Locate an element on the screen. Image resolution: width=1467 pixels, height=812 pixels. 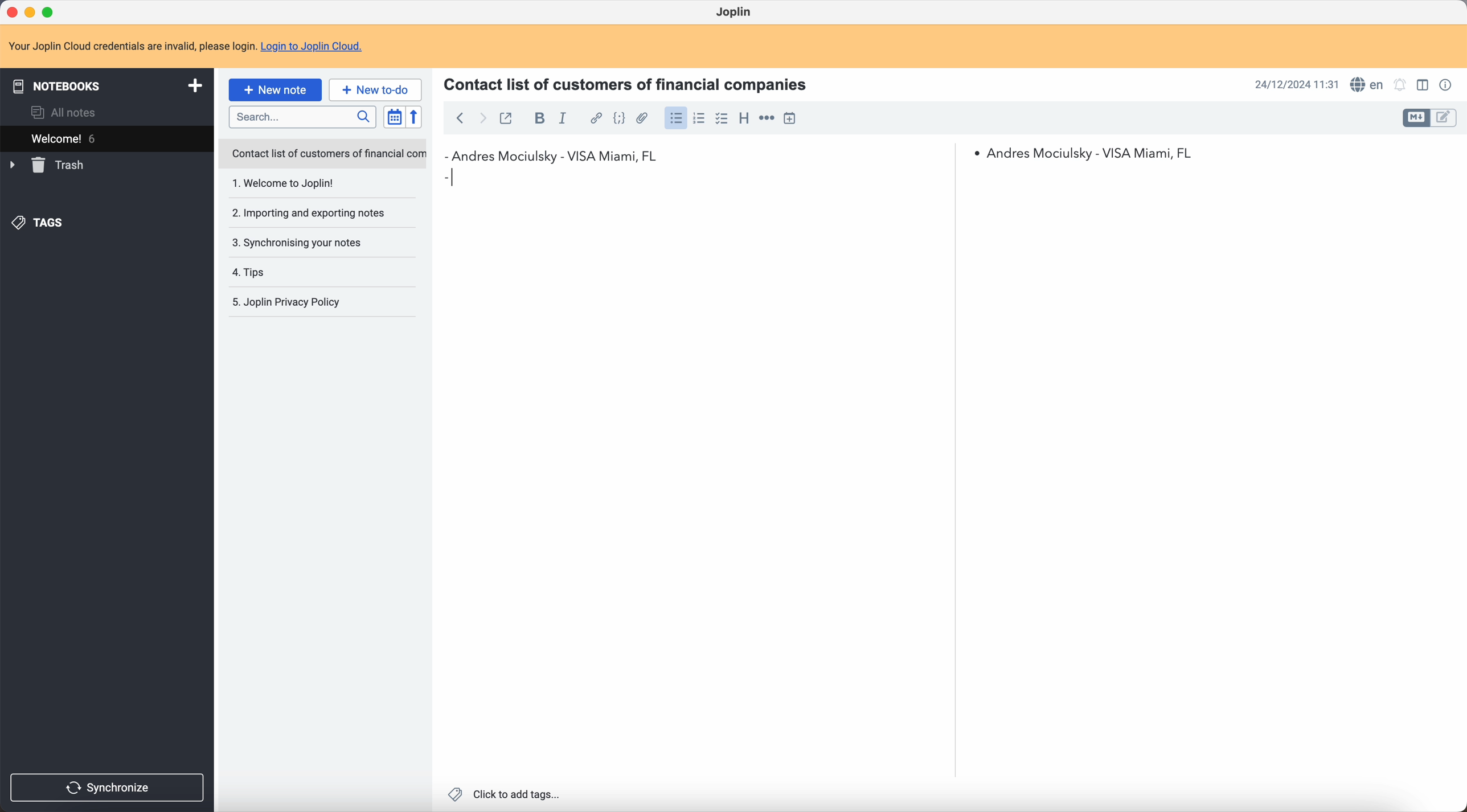
scroll bar is located at coordinates (950, 246).